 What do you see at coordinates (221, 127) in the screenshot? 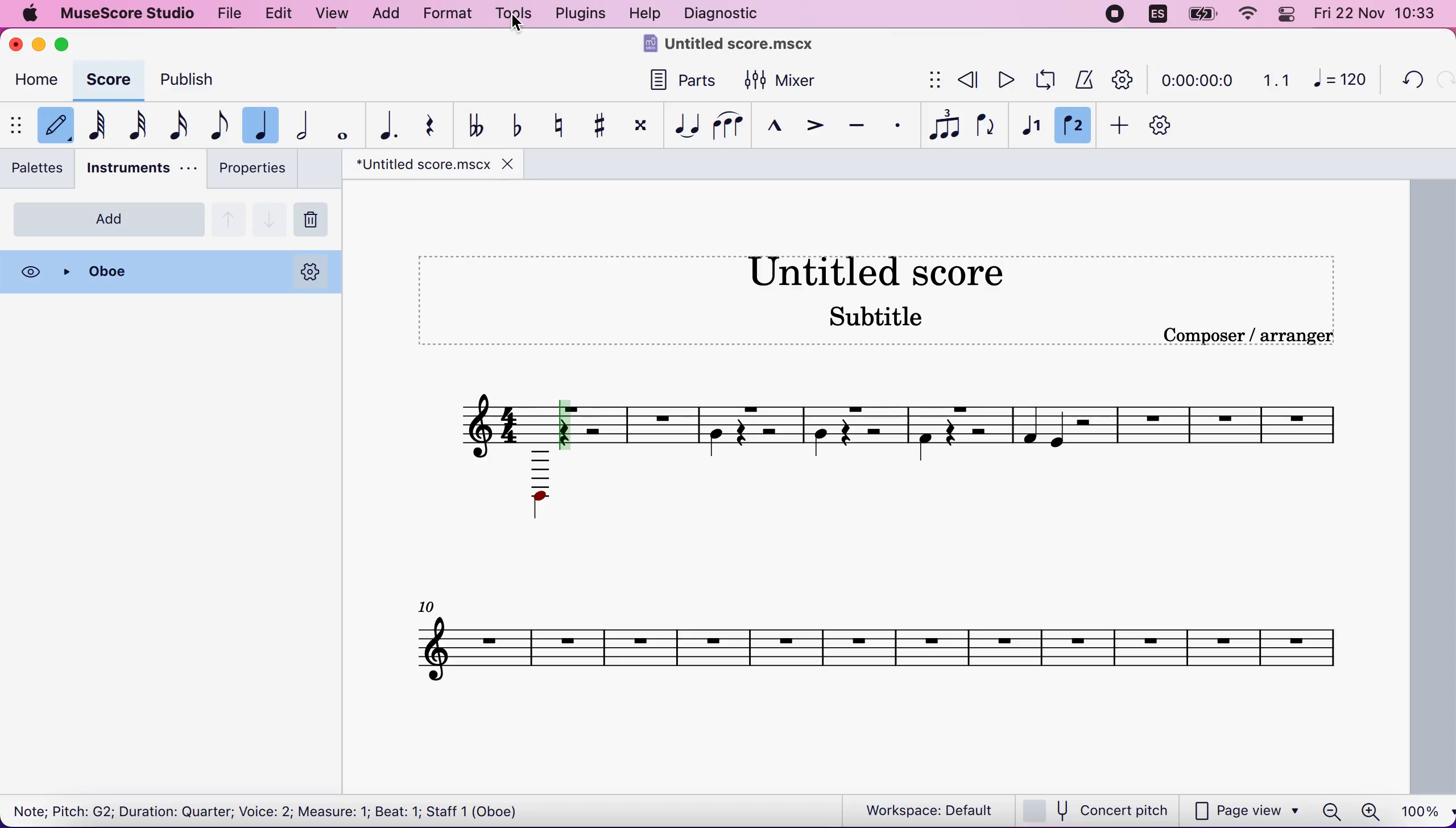
I see `eight note` at bounding box center [221, 127].